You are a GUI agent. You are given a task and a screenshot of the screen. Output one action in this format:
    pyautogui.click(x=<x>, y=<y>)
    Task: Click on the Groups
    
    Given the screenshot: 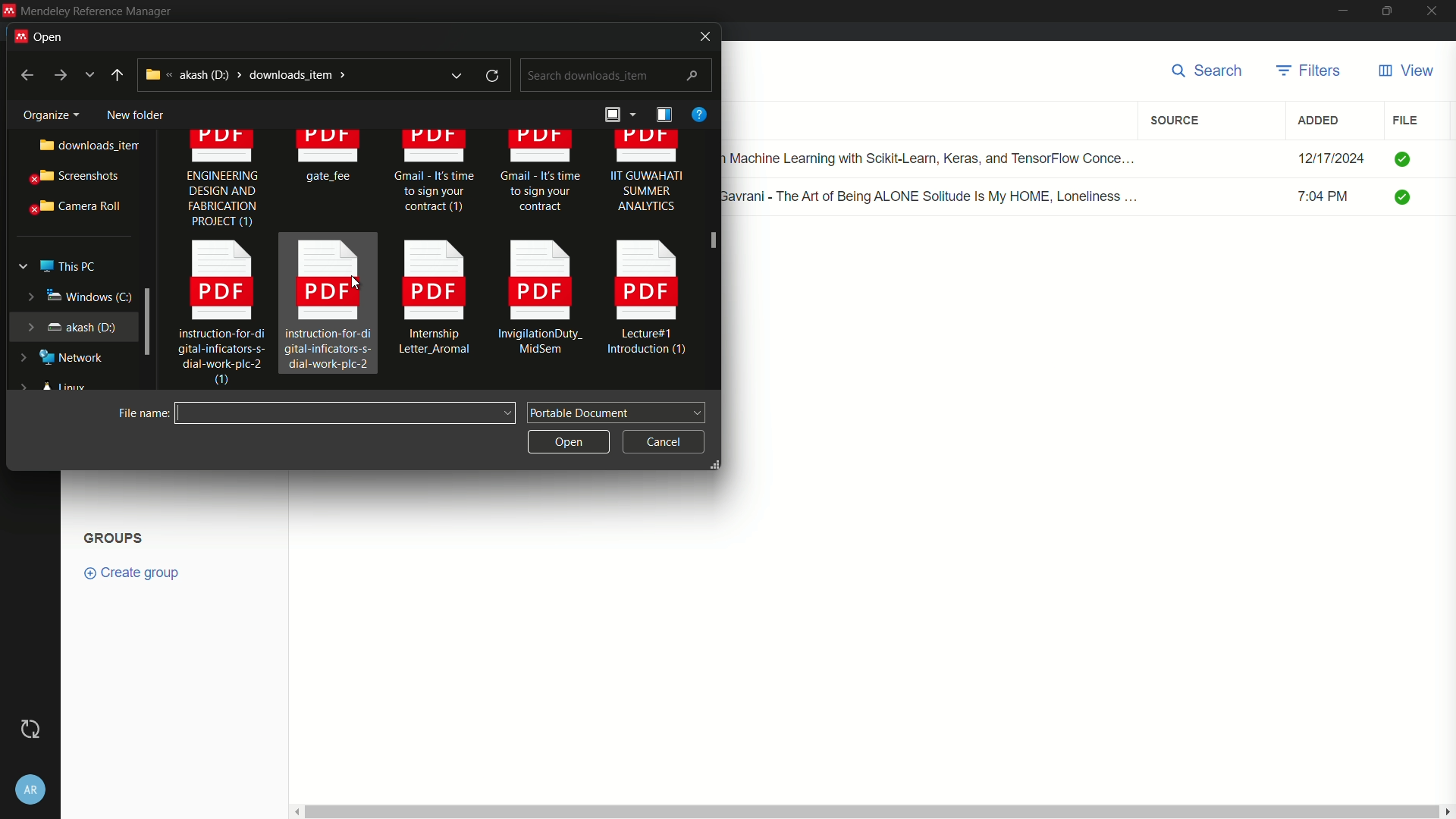 What is the action you would take?
    pyautogui.click(x=116, y=536)
    